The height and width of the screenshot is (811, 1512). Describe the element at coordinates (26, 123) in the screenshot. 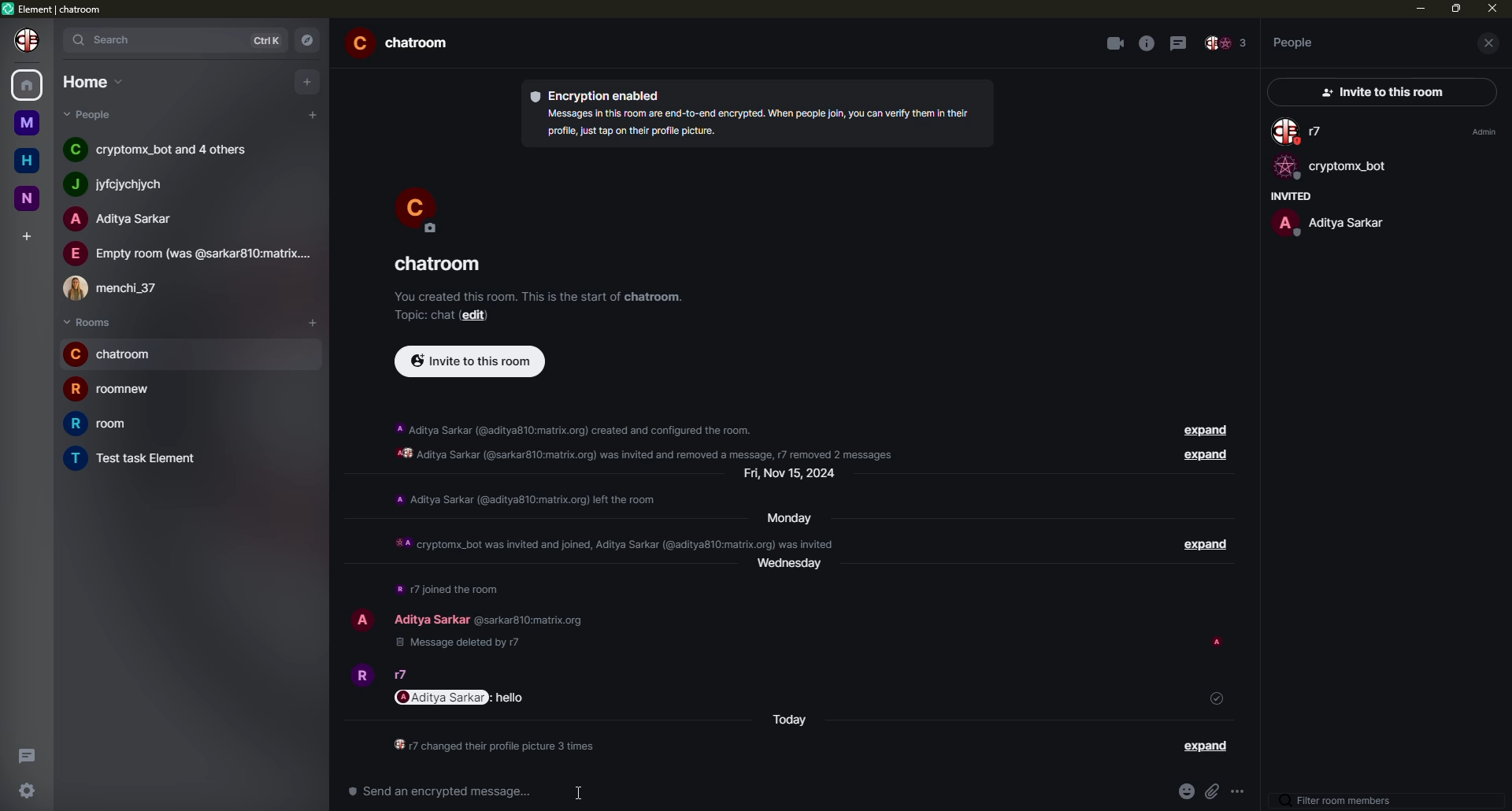

I see `m` at that location.